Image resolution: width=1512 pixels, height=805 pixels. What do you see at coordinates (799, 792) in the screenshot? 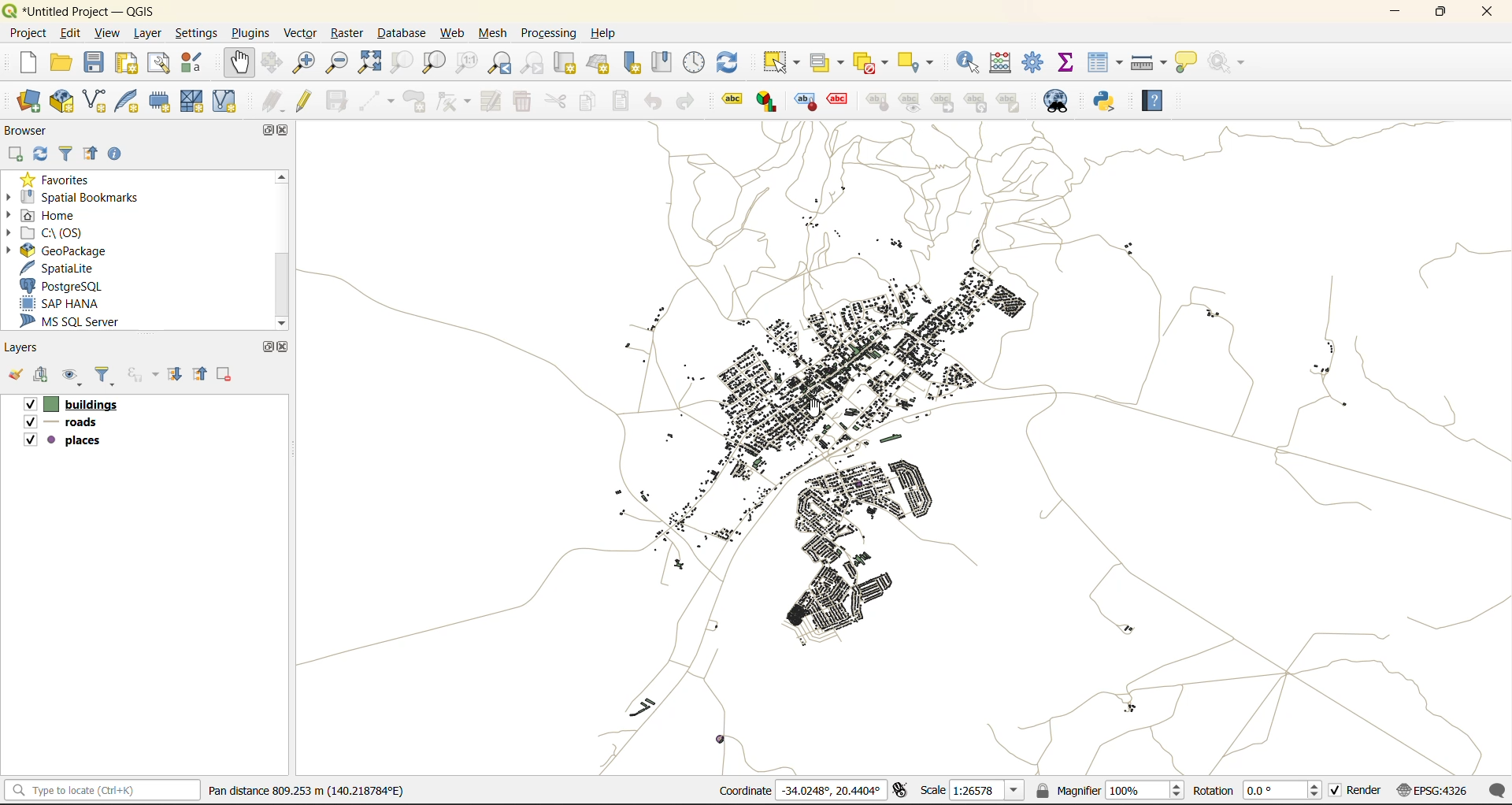
I see `coordinates` at bounding box center [799, 792].